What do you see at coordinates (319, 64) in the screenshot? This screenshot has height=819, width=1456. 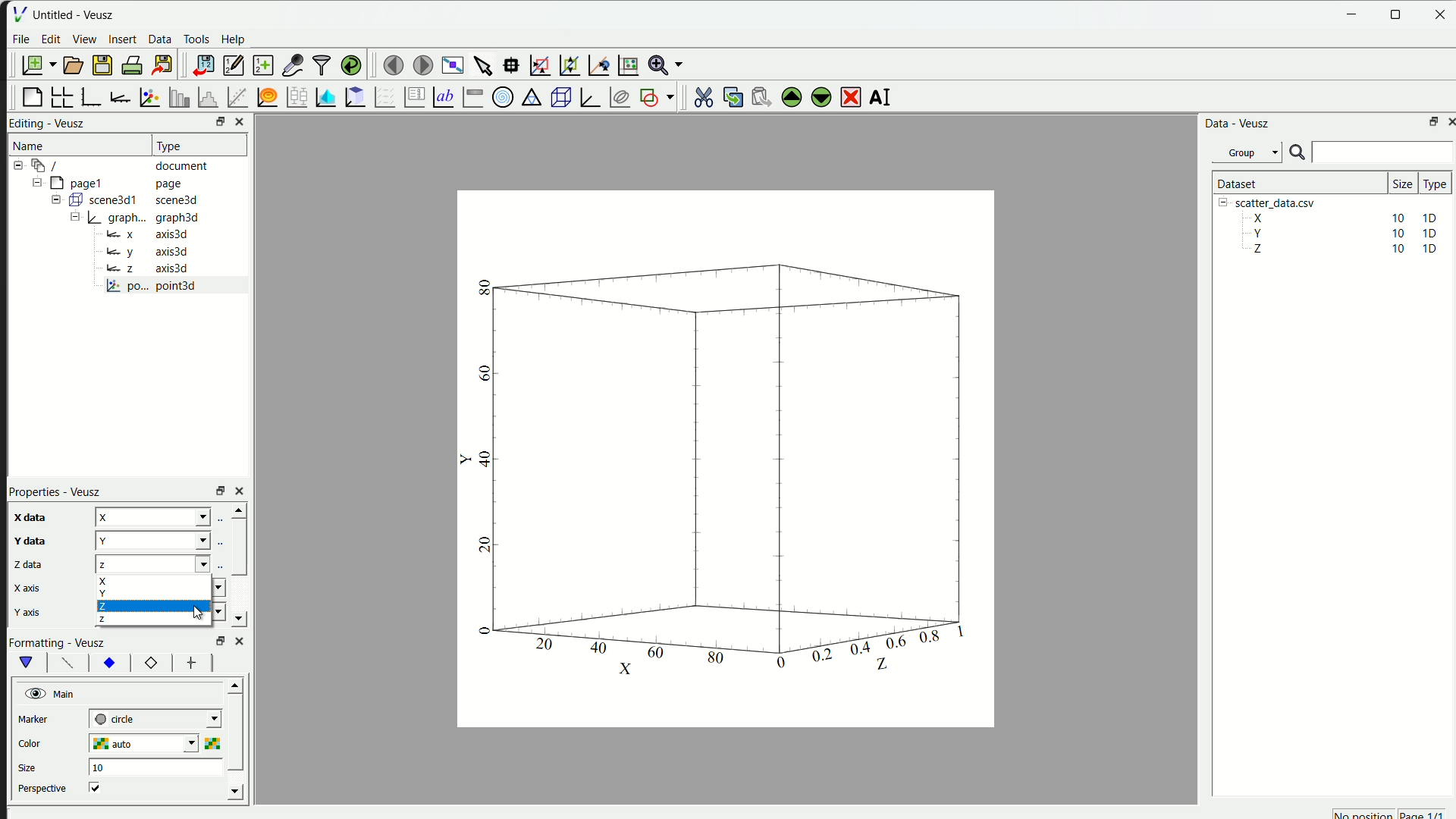 I see `filter data` at bounding box center [319, 64].